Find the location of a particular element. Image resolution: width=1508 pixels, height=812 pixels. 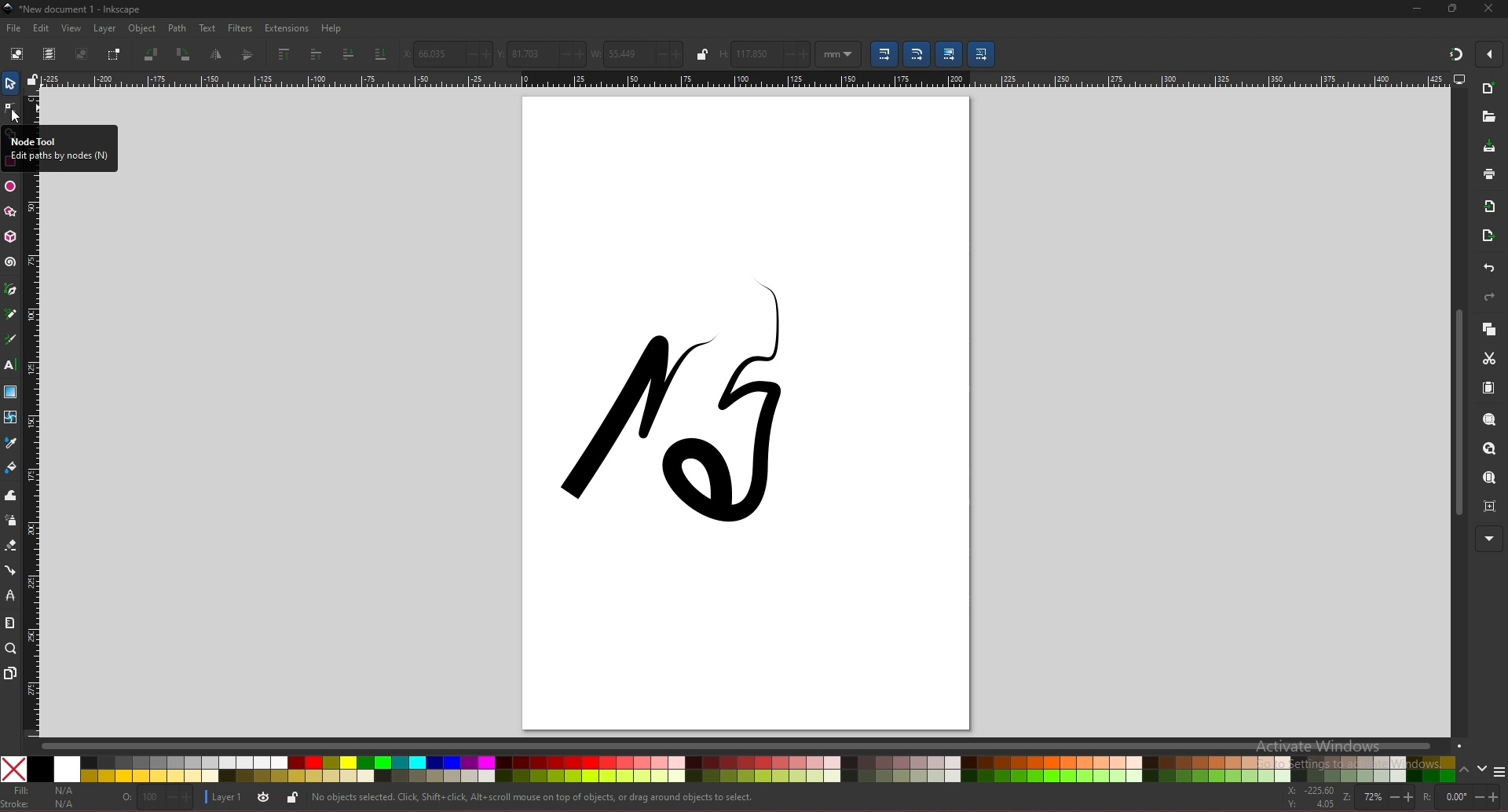

horizontal scale is located at coordinates (745, 79).